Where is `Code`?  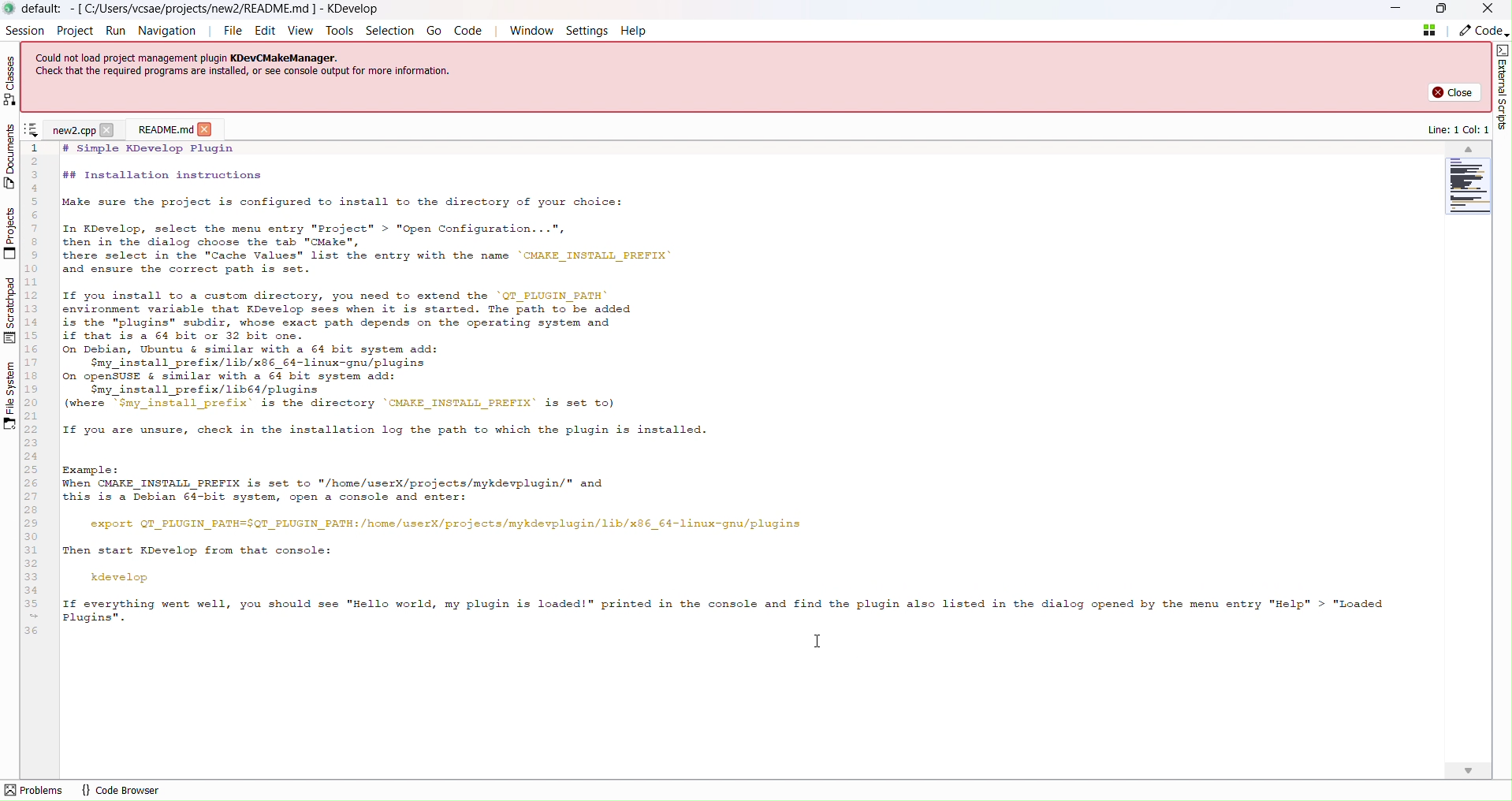 Code is located at coordinates (1480, 30).